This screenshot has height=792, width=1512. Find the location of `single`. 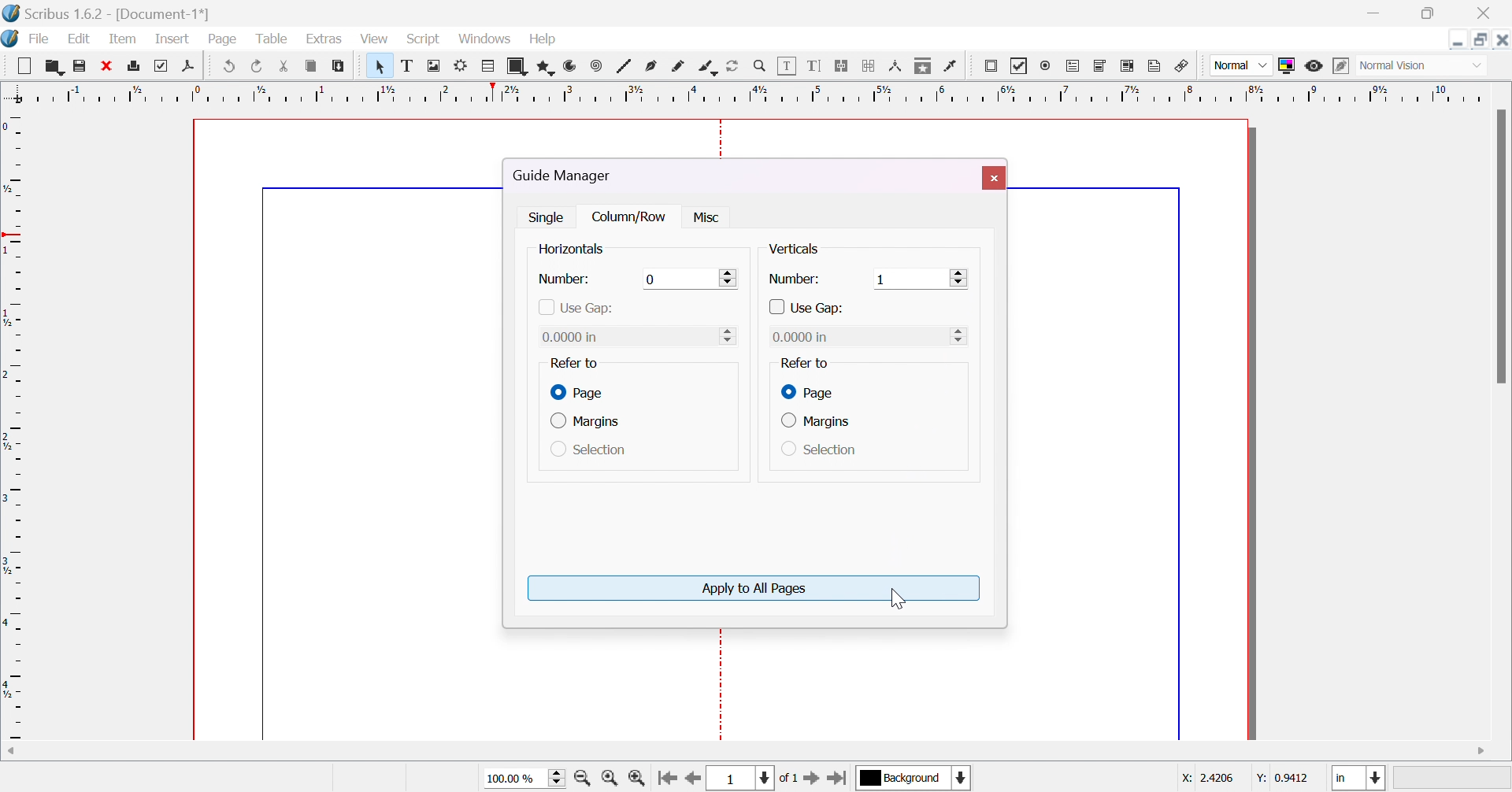

single is located at coordinates (549, 216).